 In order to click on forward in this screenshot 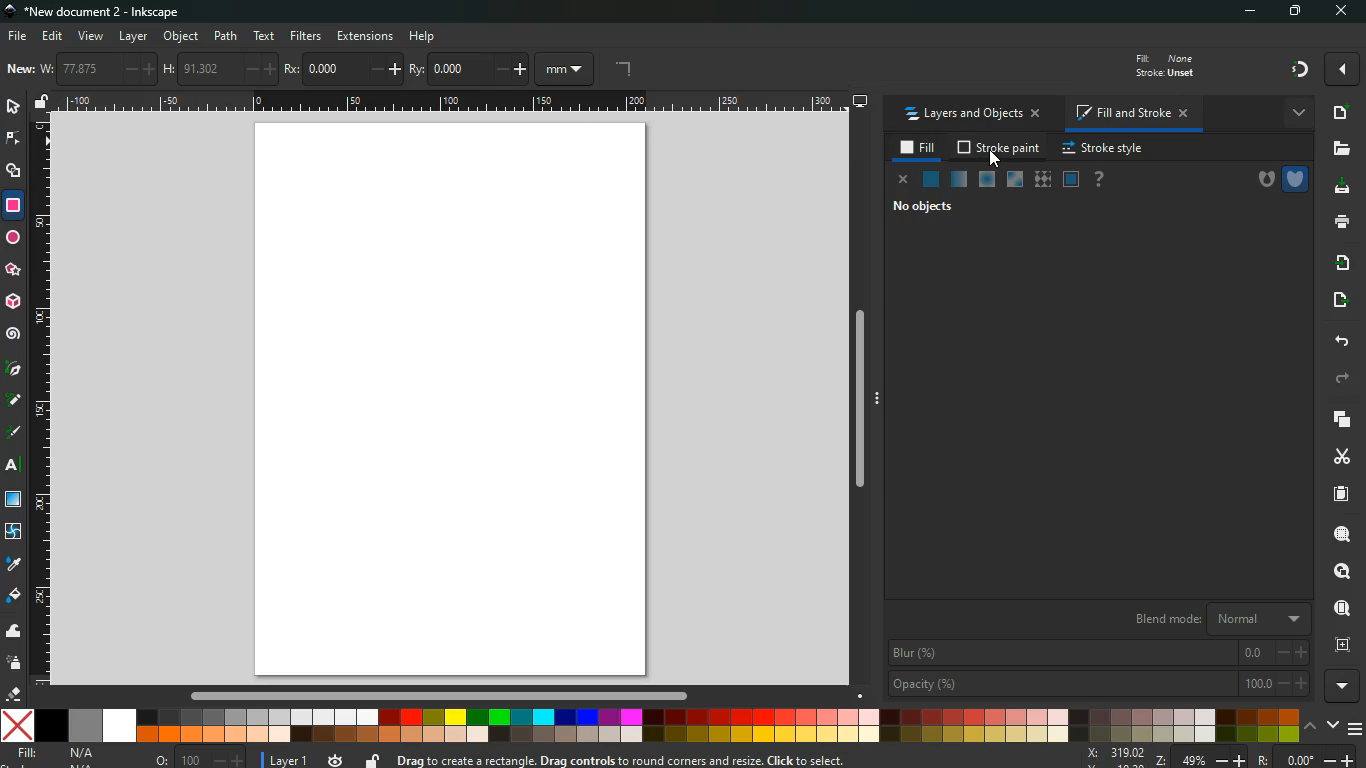, I will do `click(1346, 378)`.